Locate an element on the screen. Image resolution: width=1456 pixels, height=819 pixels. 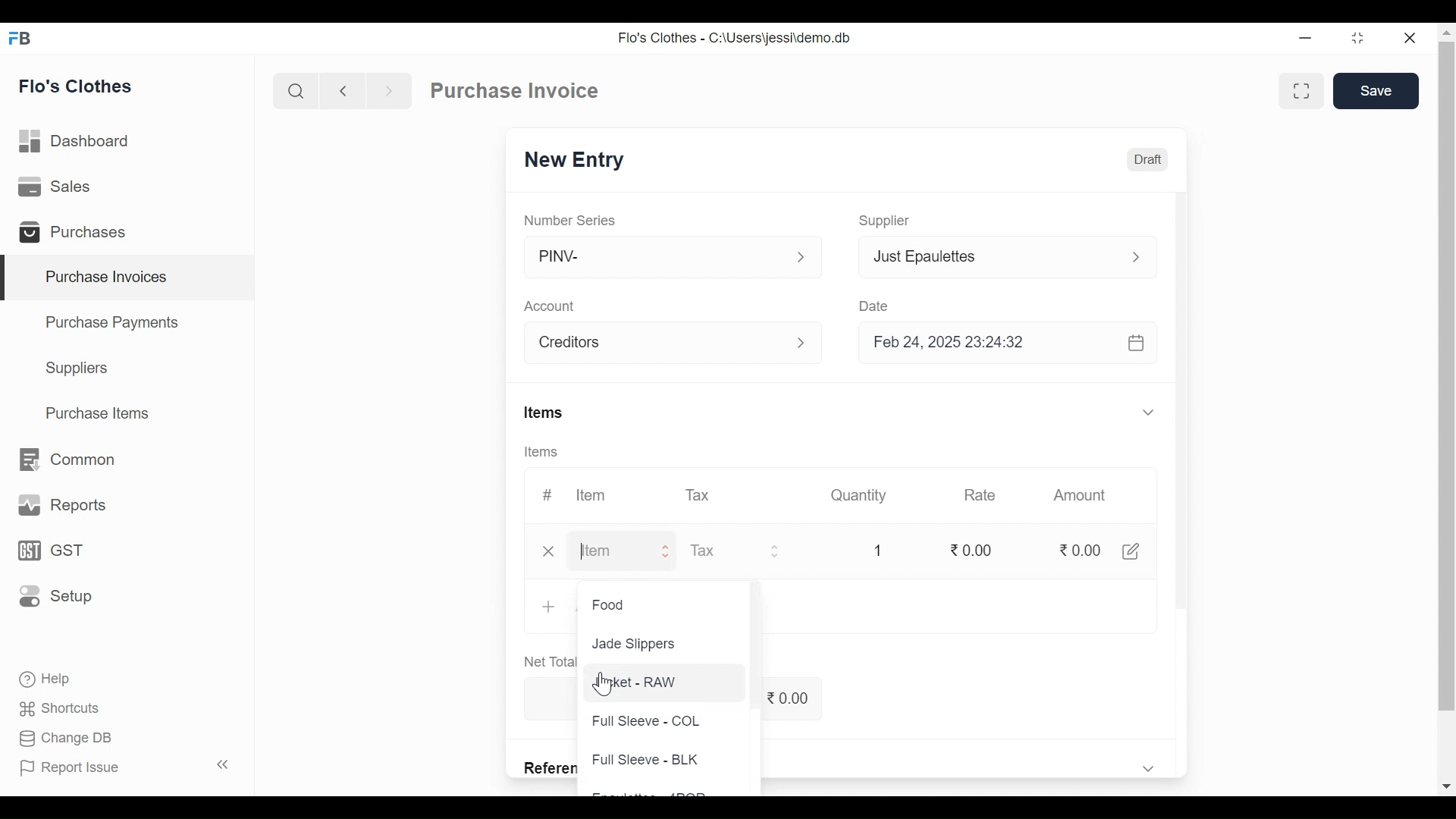
Common is located at coordinates (70, 459).